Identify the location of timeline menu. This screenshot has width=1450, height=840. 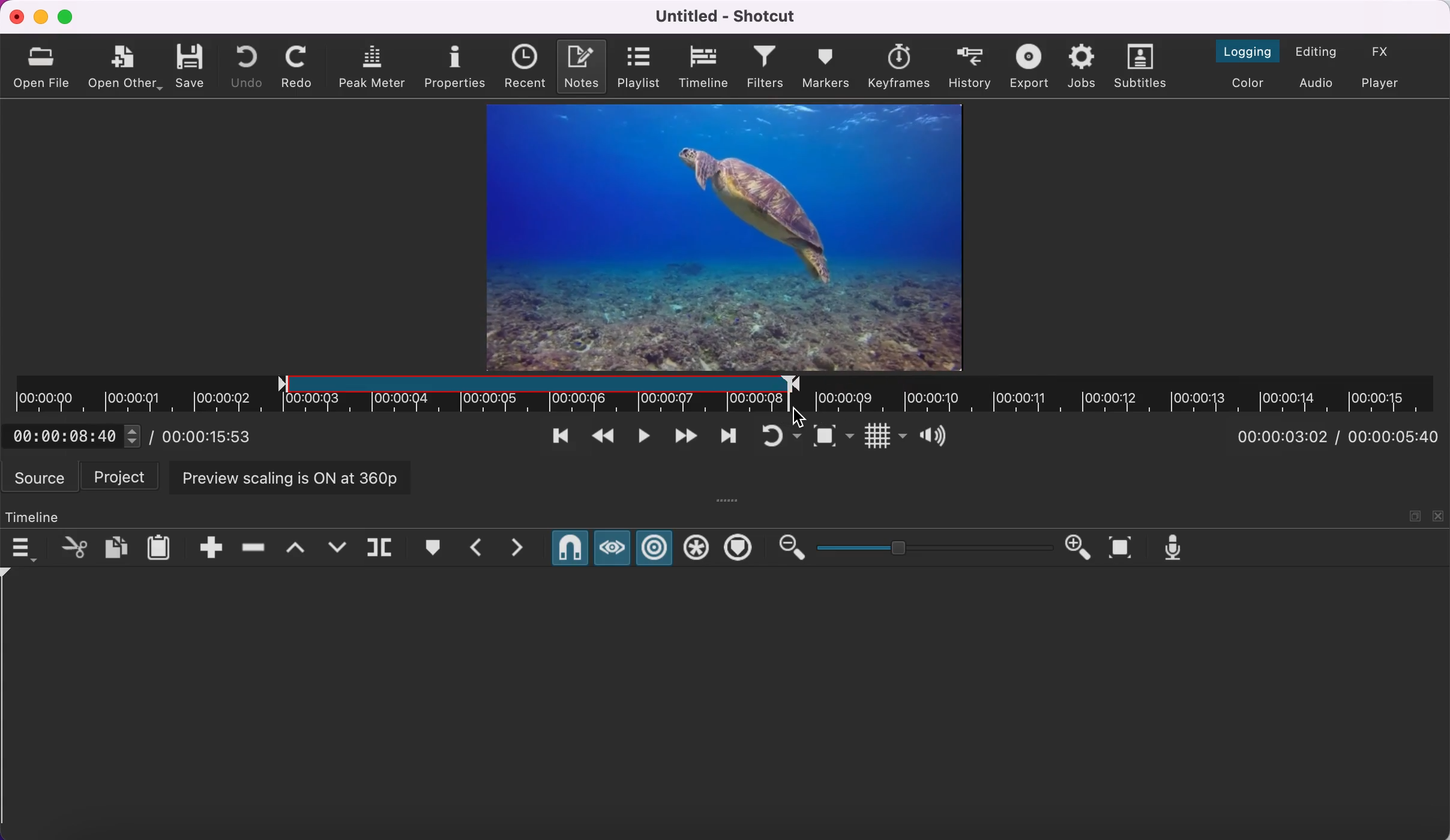
(25, 546).